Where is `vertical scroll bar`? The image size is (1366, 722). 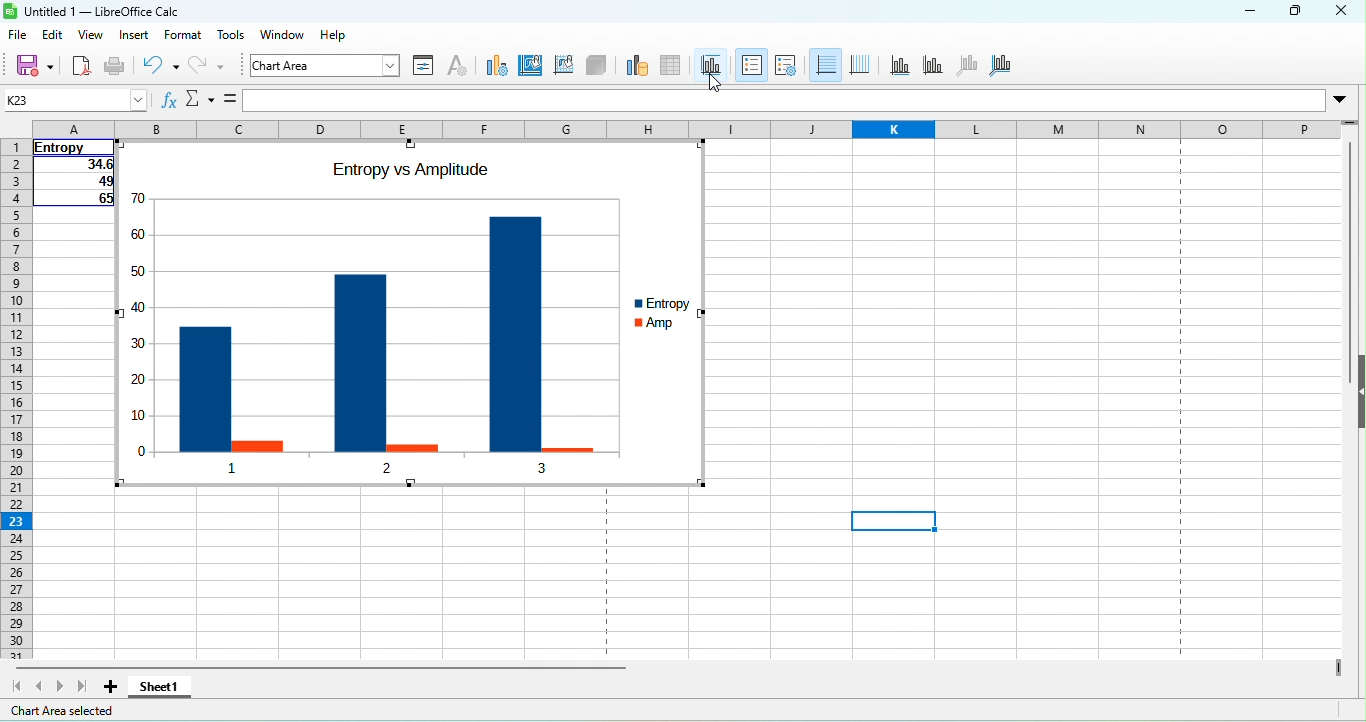 vertical scroll bar is located at coordinates (1349, 266).